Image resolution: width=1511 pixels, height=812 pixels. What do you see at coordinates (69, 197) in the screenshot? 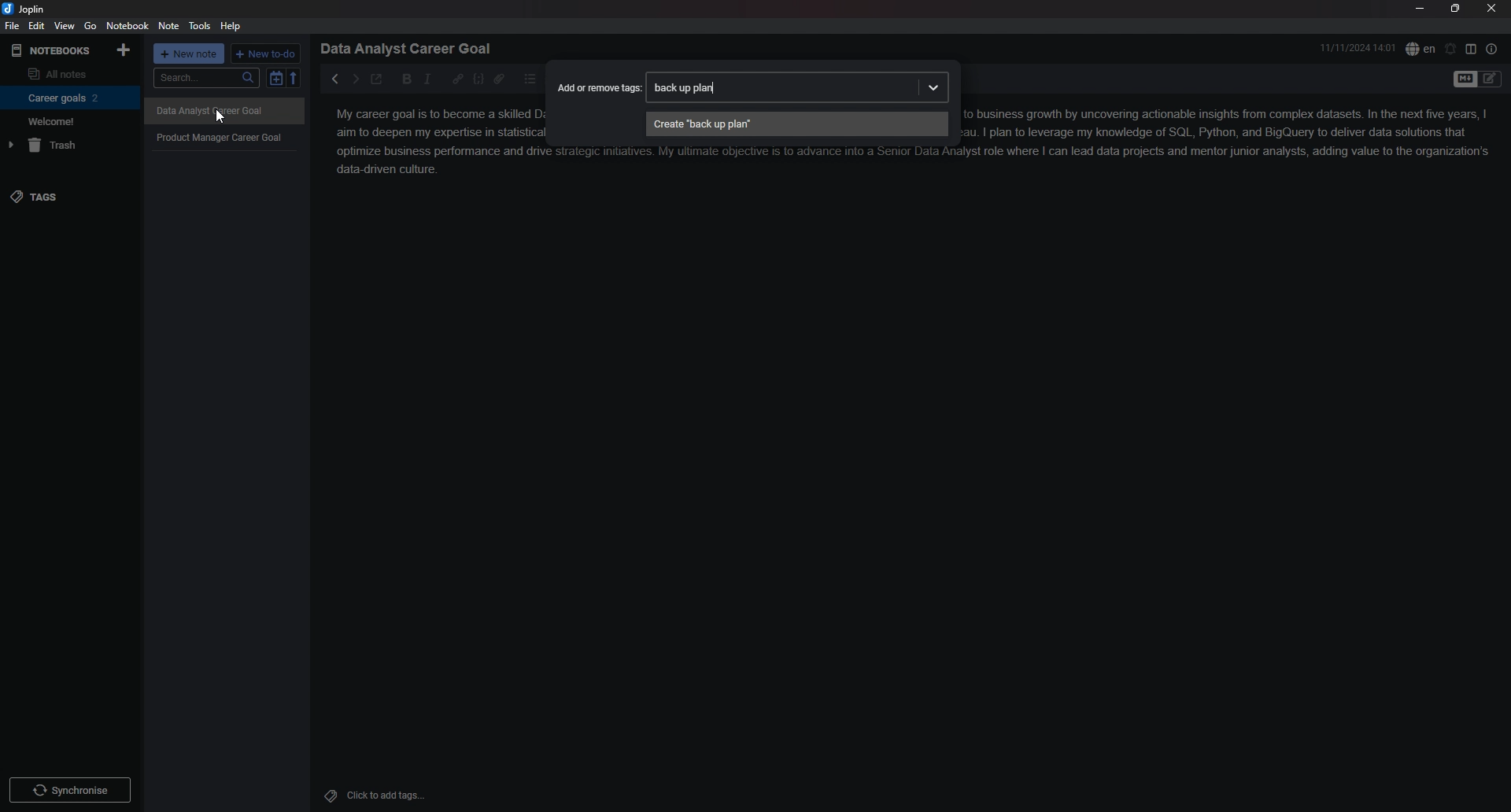
I see `tags` at bounding box center [69, 197].